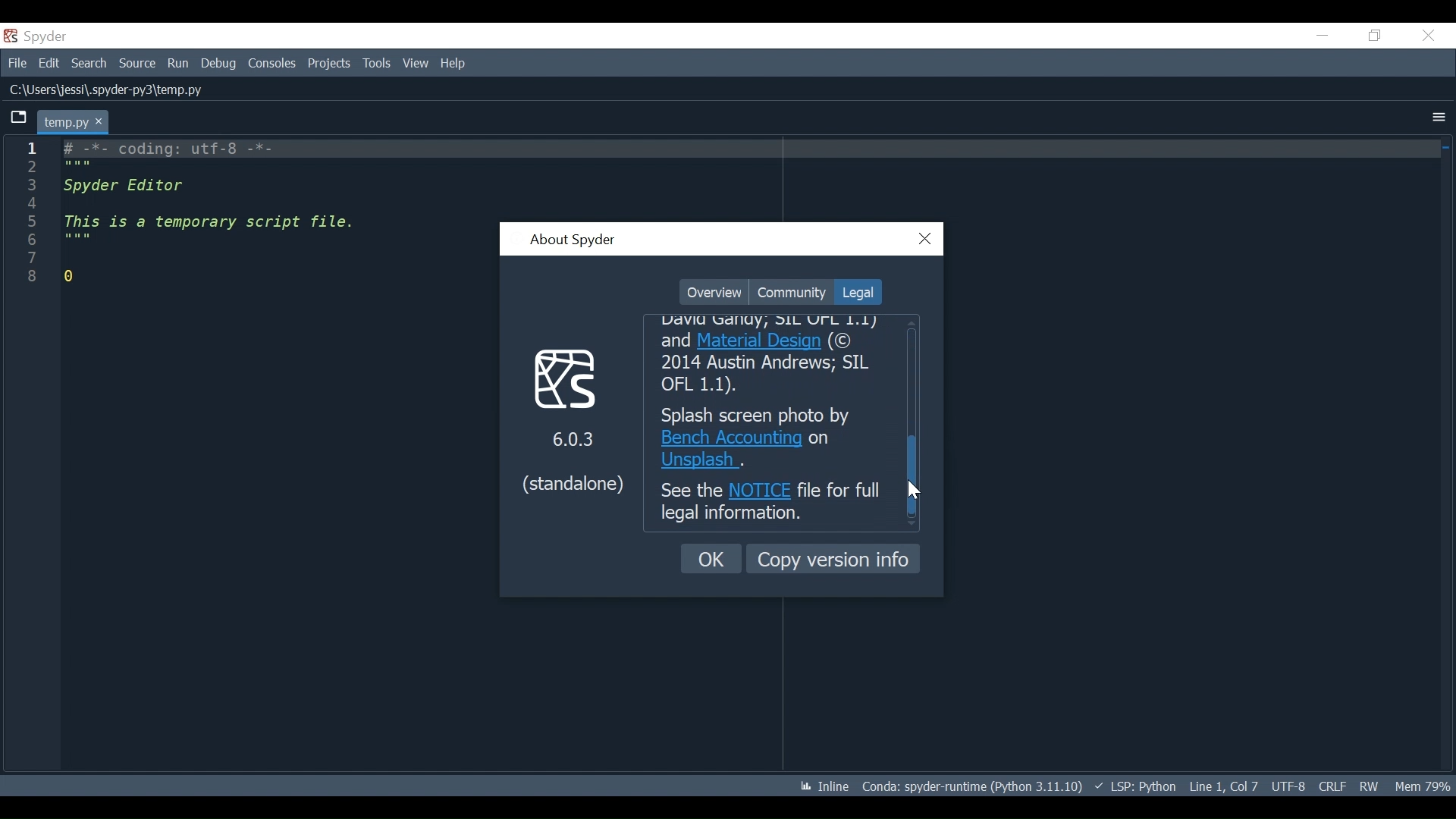 The height and width of the screenshot is (819, 1456). Describe the element at coordinates (416, 63) in the screenshot. I see `View` at that location.